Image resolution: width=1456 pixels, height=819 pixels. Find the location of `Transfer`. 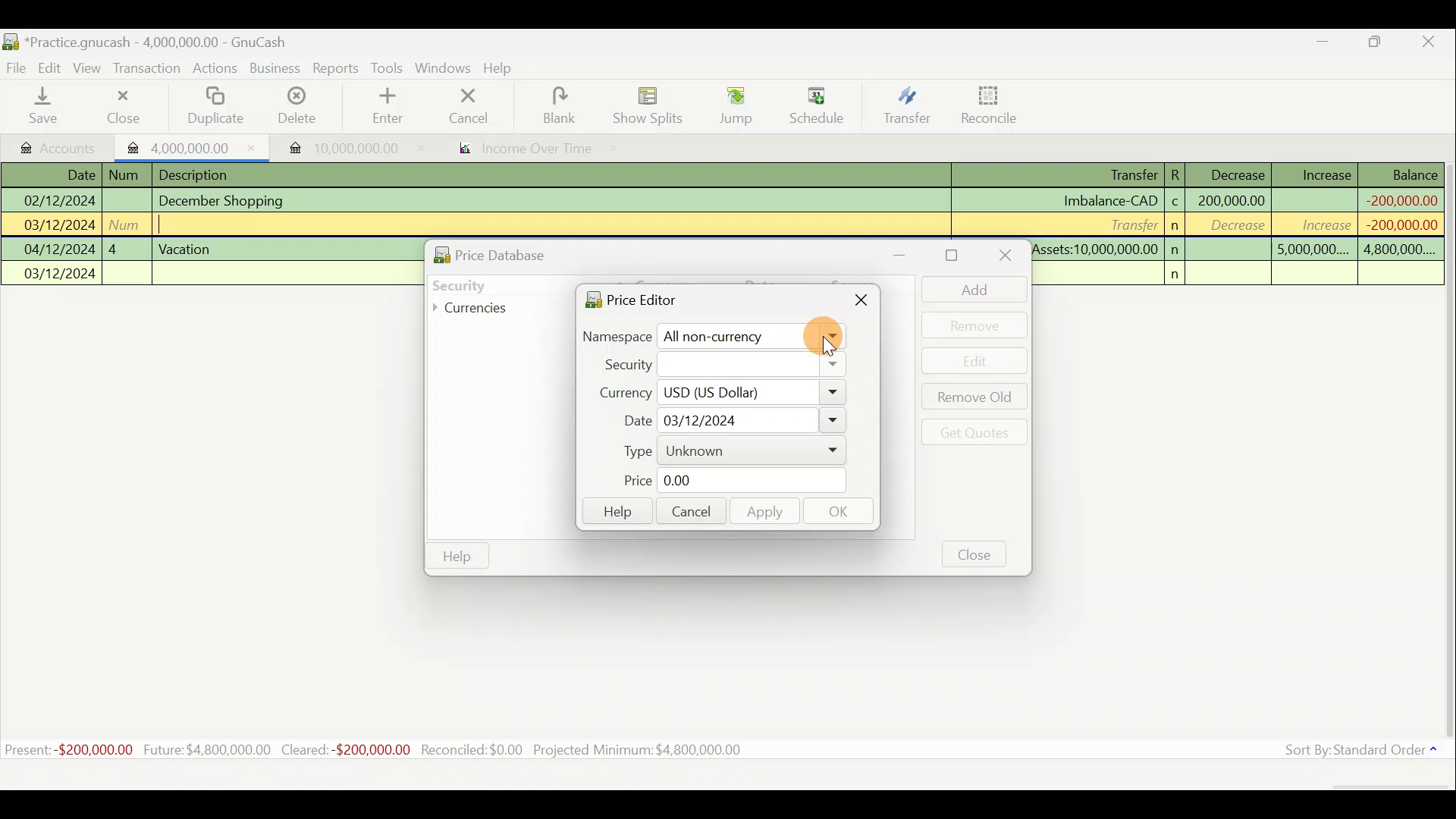

Transfer is located at coordinates (1129, 224).